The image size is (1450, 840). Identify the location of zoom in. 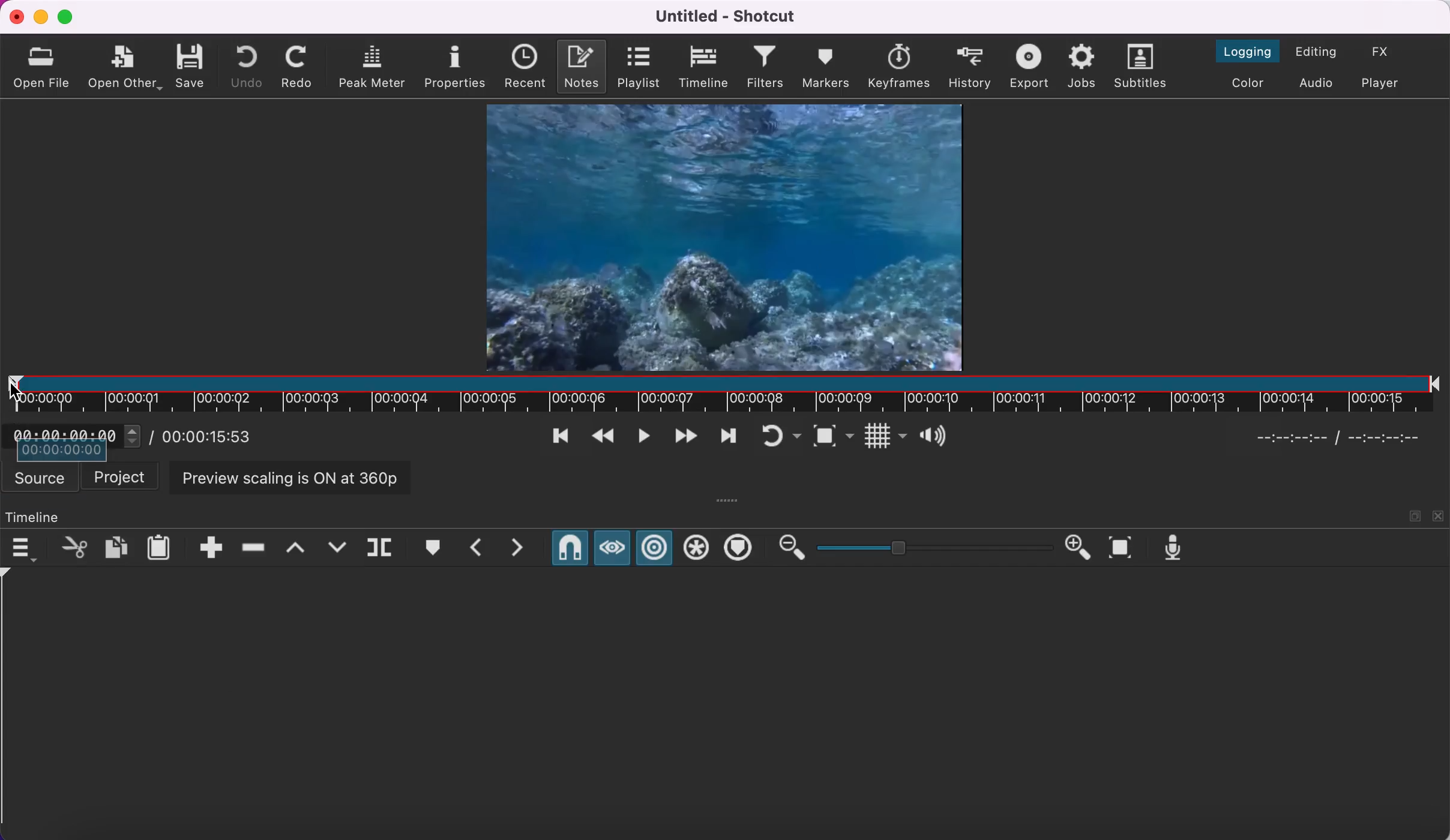
(1081, 548).